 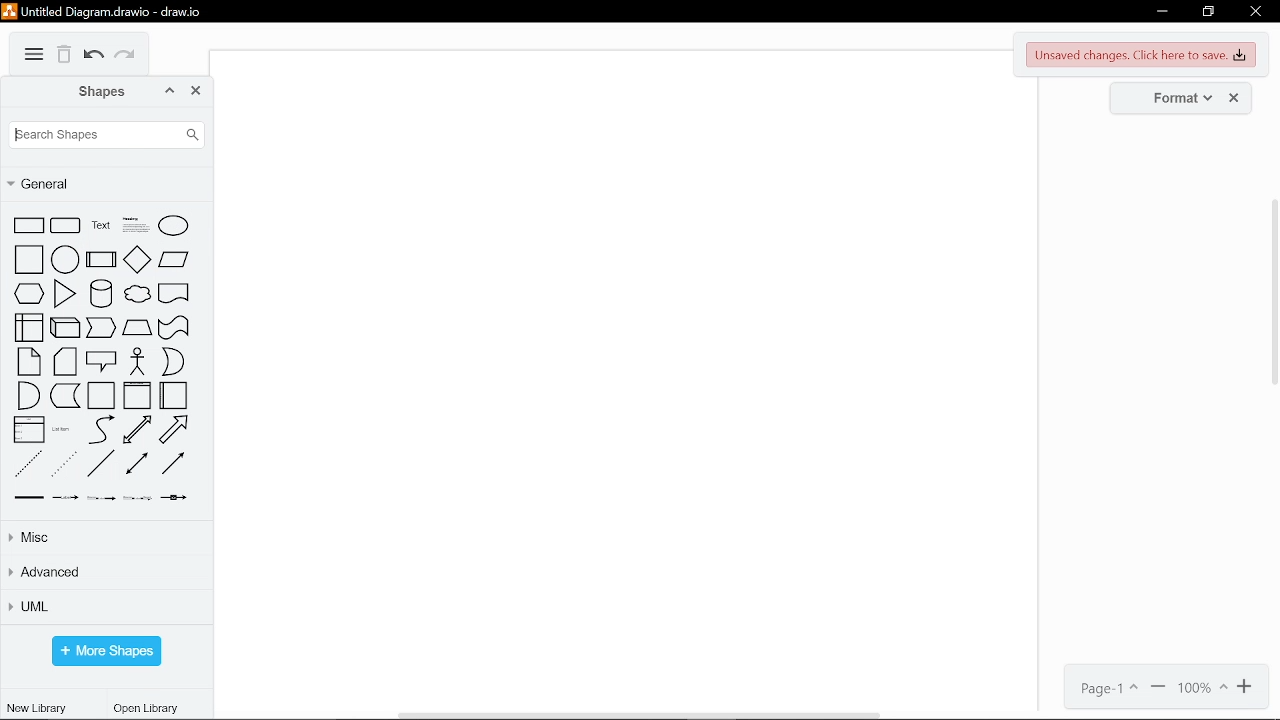 I want to click on 100%, so click(x=1203, y=688).